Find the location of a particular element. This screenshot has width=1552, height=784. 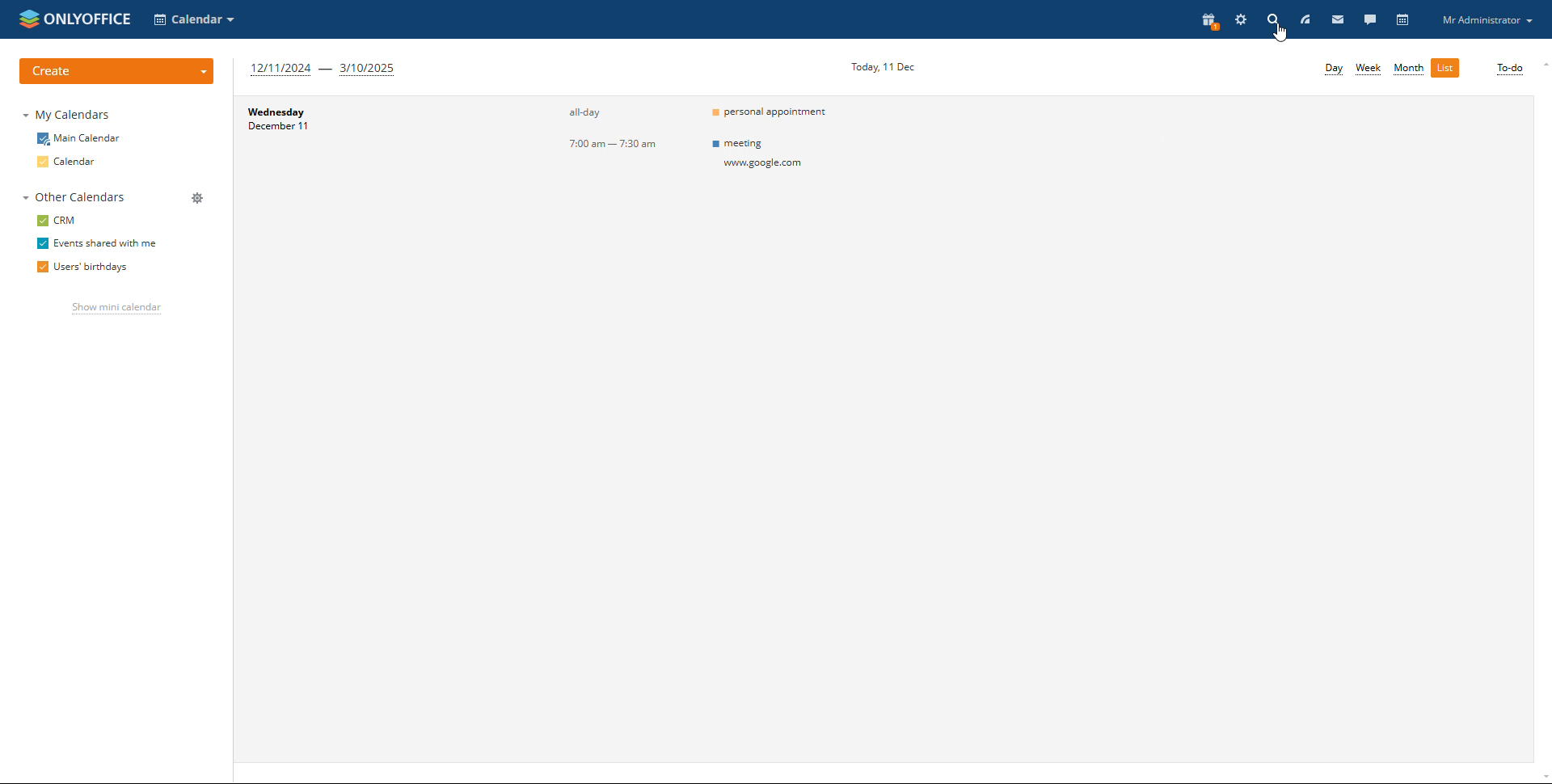

main calendars is located at coordinates (80, 139).